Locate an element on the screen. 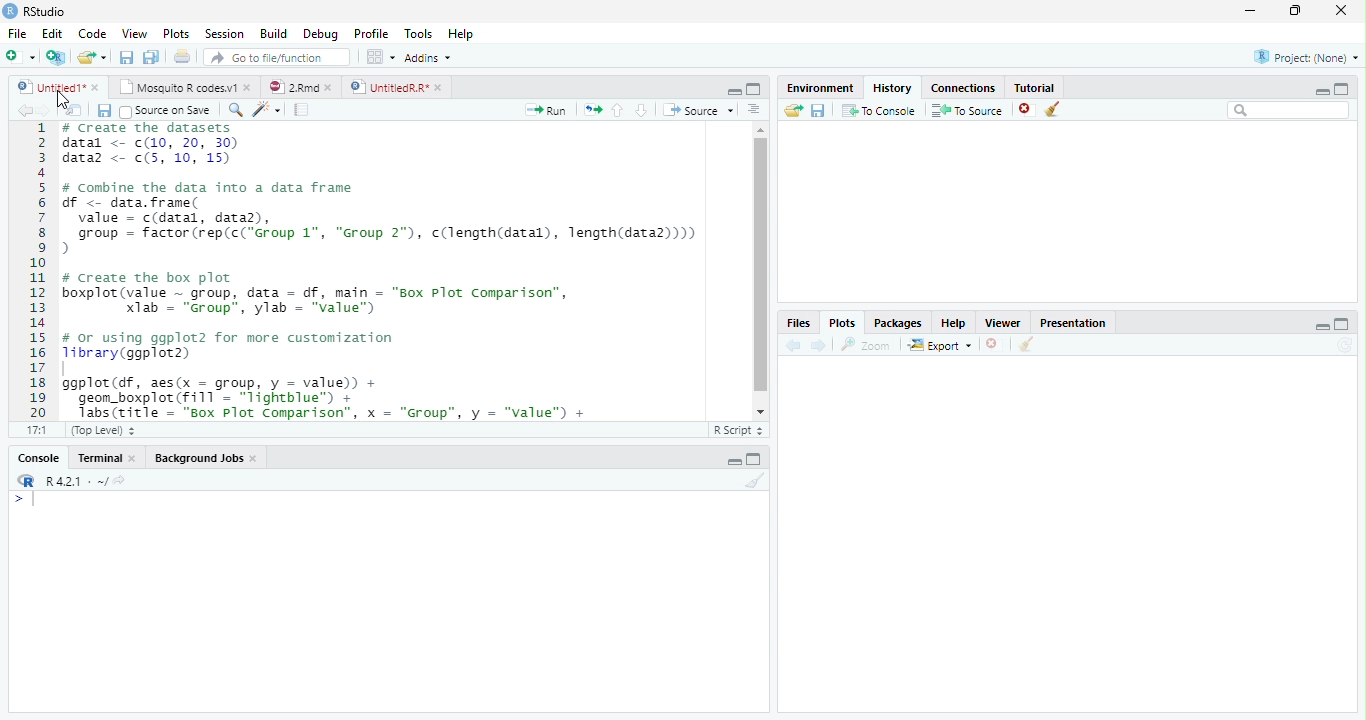 Image resolution: width=1366 pixels, height=720 pixels. Build is located at coordinates (272, 33).